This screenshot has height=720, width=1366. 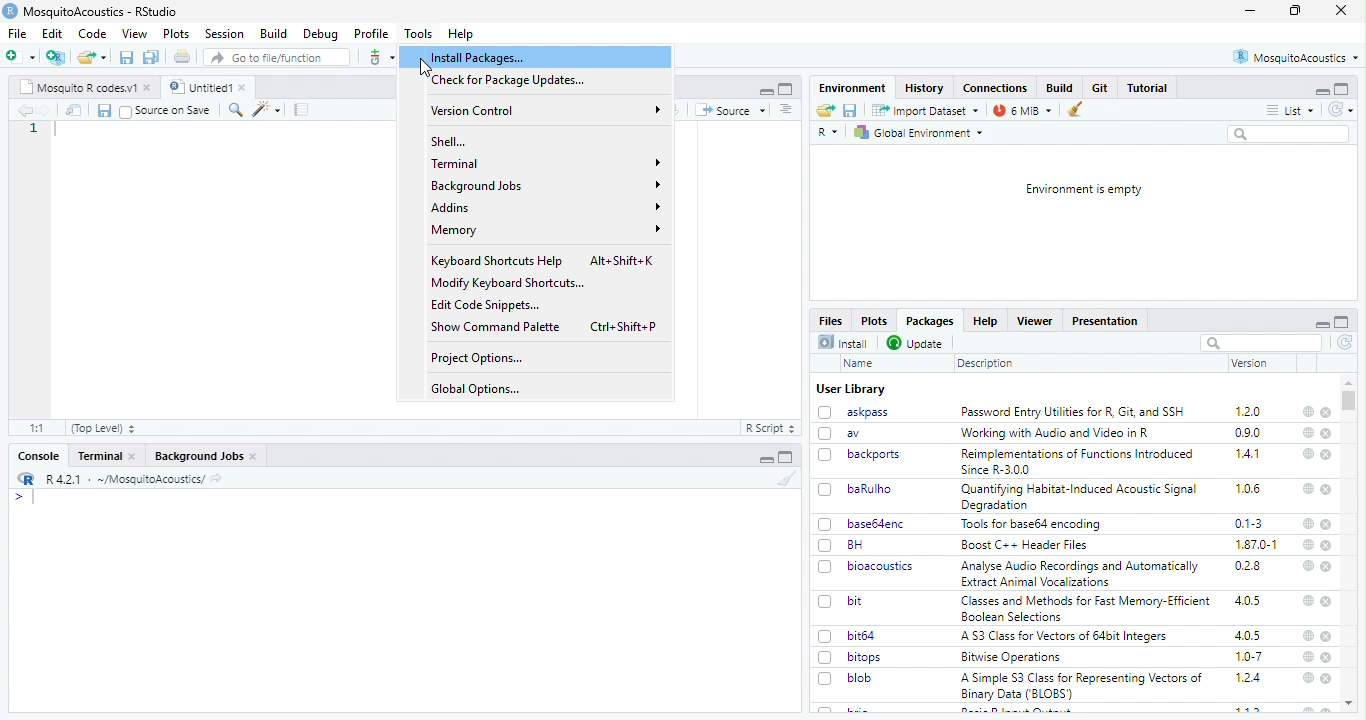 I want to click on Code, so click(x=94, y=33).